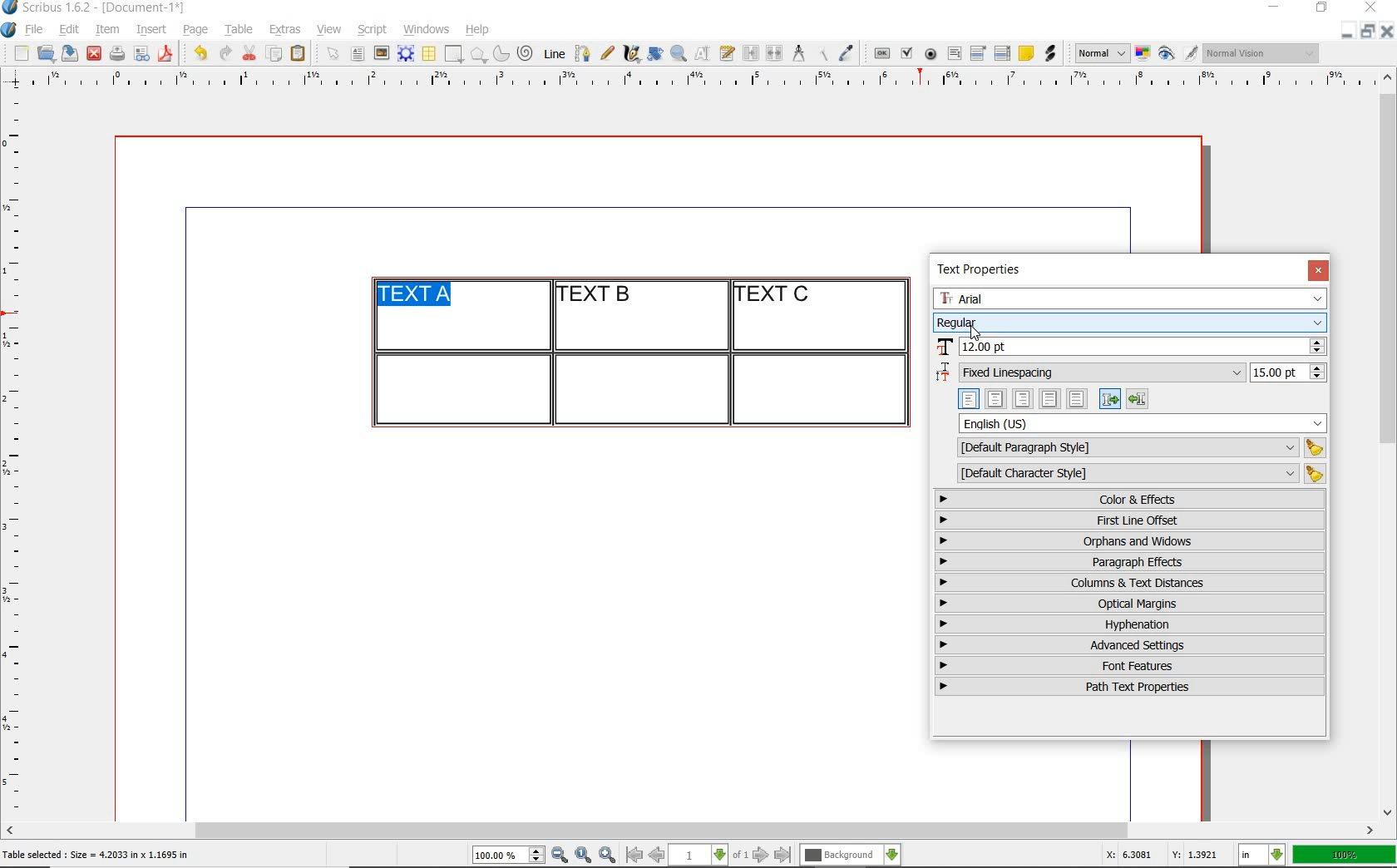 The height and width of the screenshot is (868, 1397). What do you see at coordinates (45, 52) in the screenshot?
I see `open` at bounding box center [45, 52].